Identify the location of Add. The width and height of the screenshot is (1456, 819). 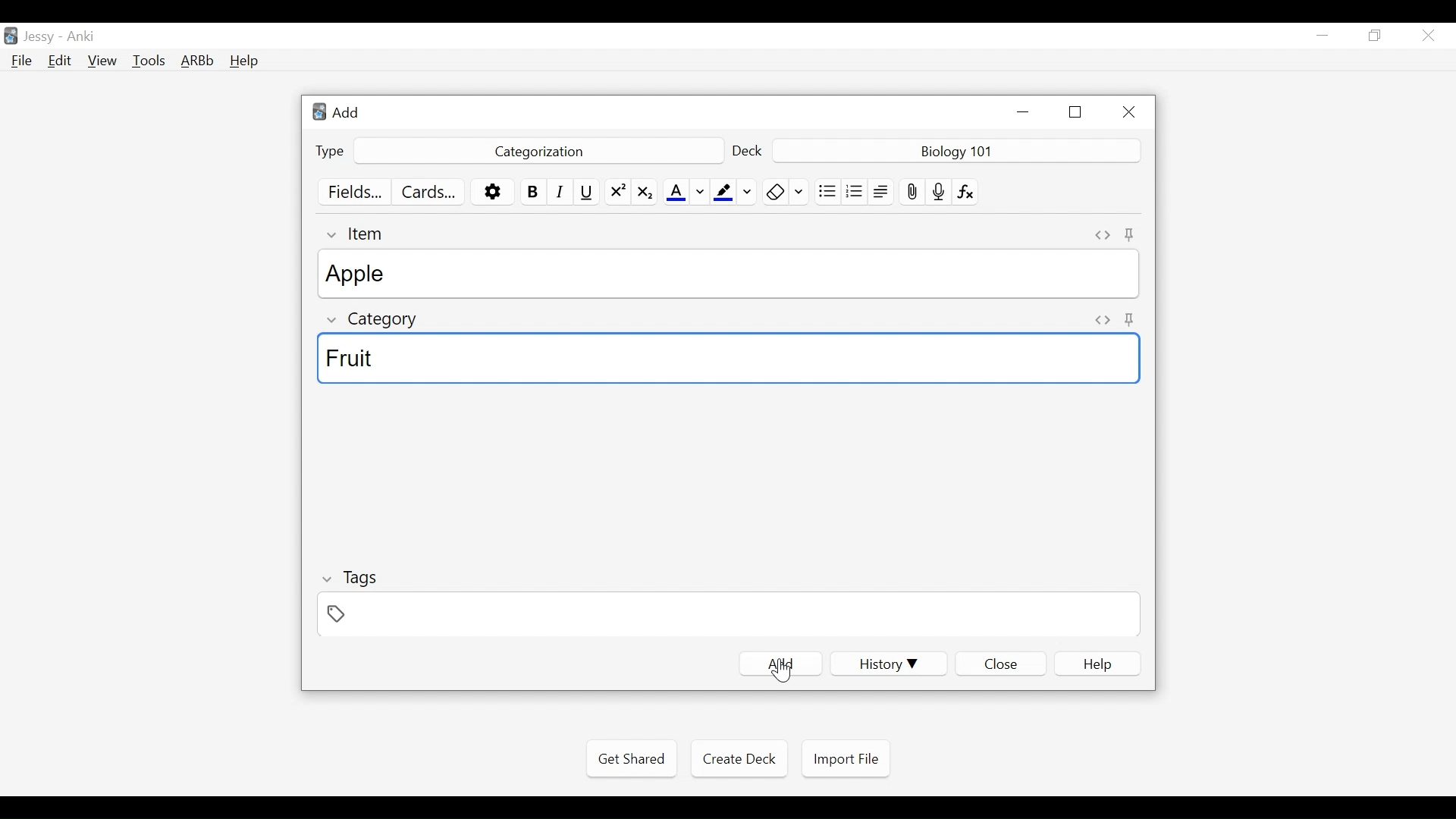
(345, 111).